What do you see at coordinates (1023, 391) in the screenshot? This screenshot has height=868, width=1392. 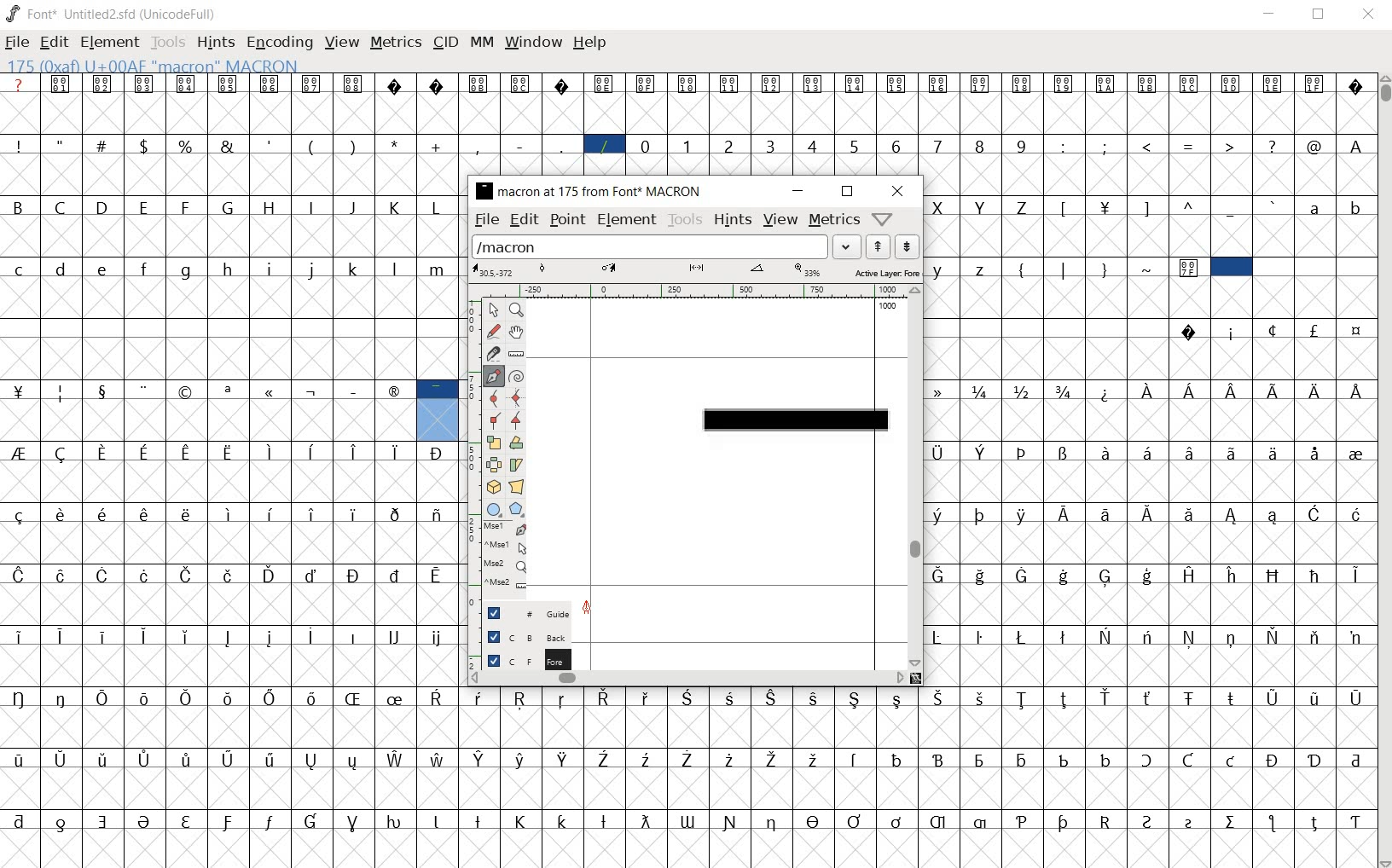 I see `Symbol` at bounding box center [1023, 391].